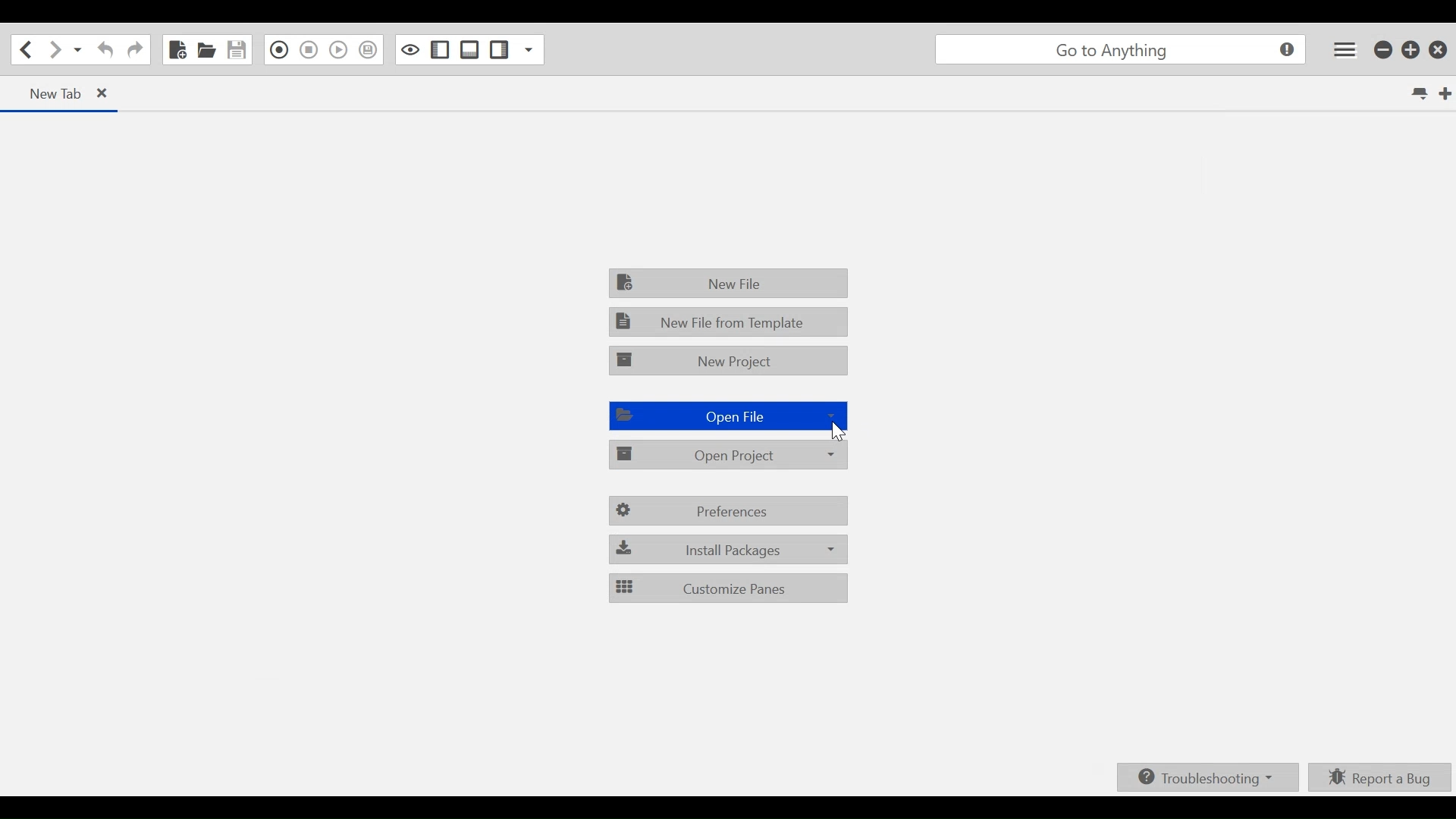 The height and width of the screenshot is (819, 1456). Describe the element at coordinates (1440, 47) in the screenshot. I see `Close` at that location.